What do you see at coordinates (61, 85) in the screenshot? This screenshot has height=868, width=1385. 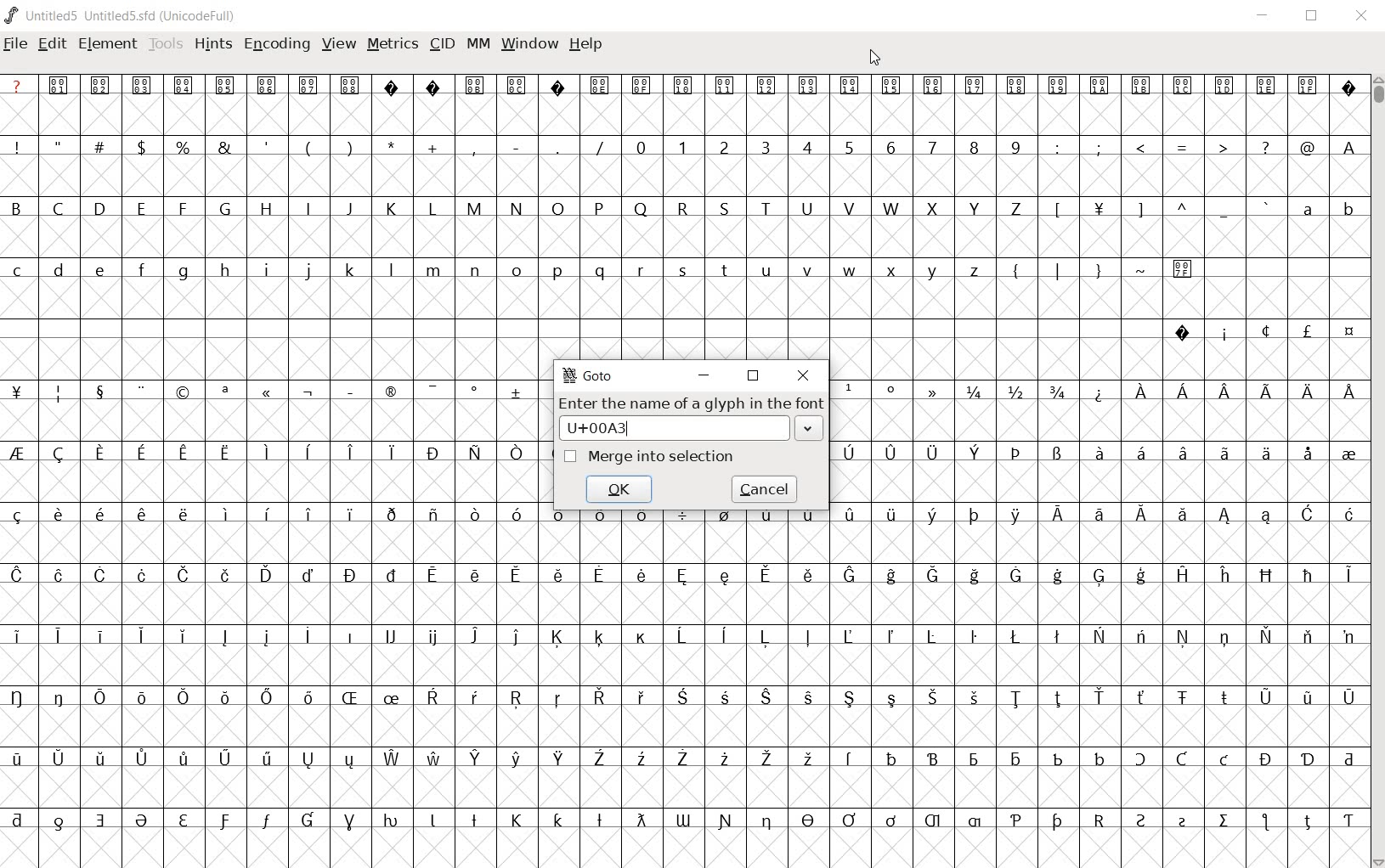 I see `Symbol` at bounding box center [61, 85].